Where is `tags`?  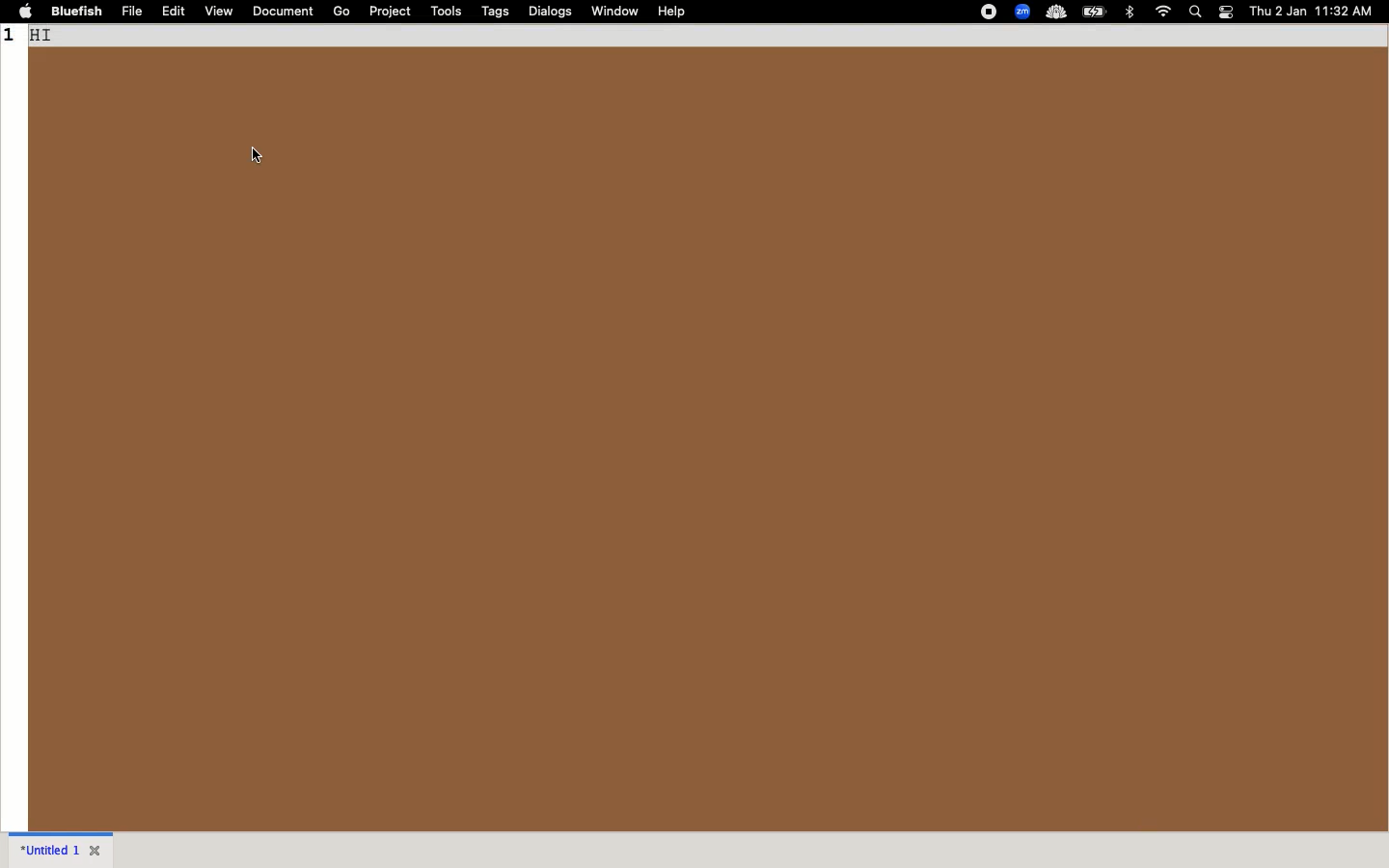
tags is located at coordinates (497, 13).